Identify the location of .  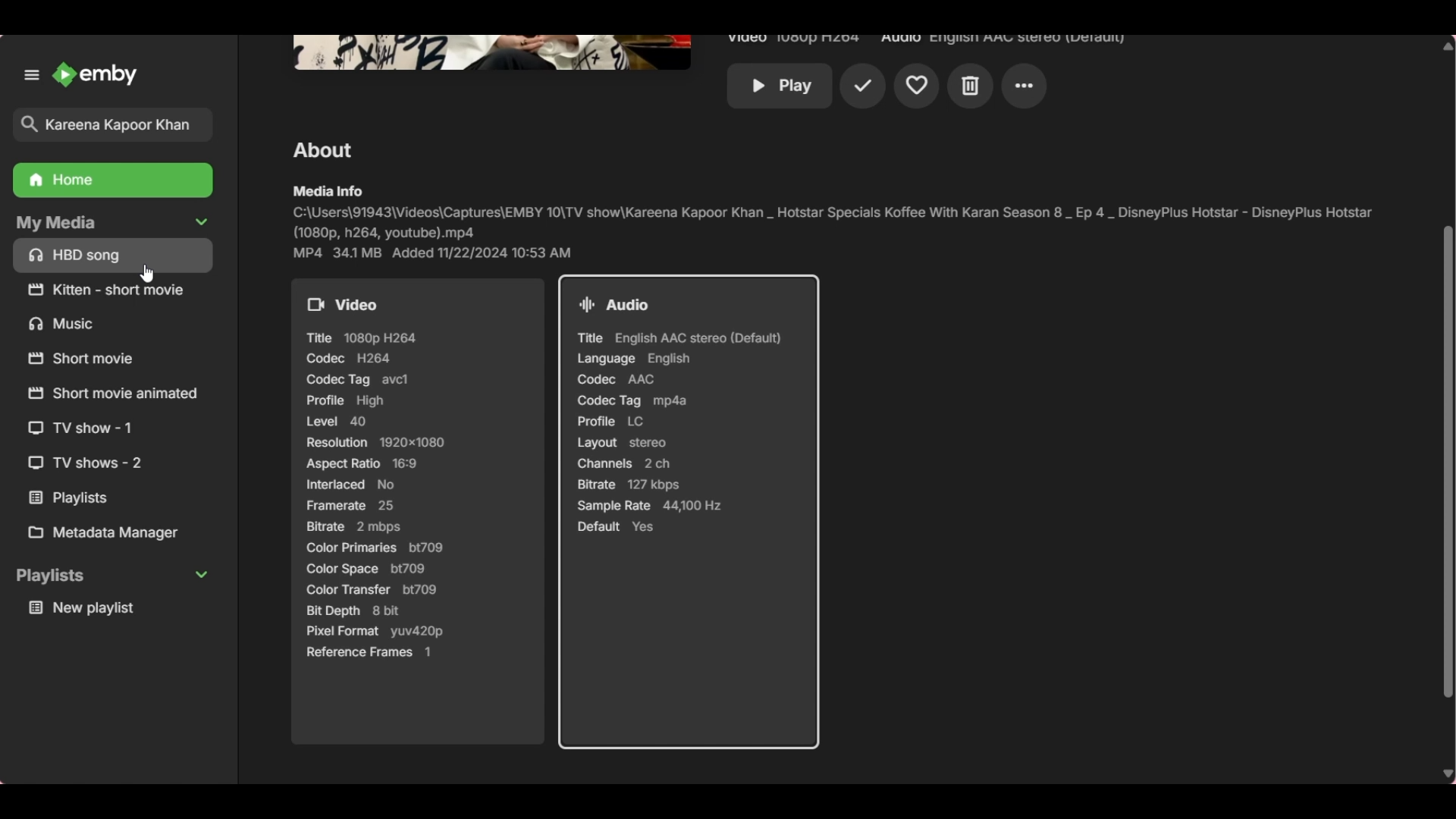
(491, 52).